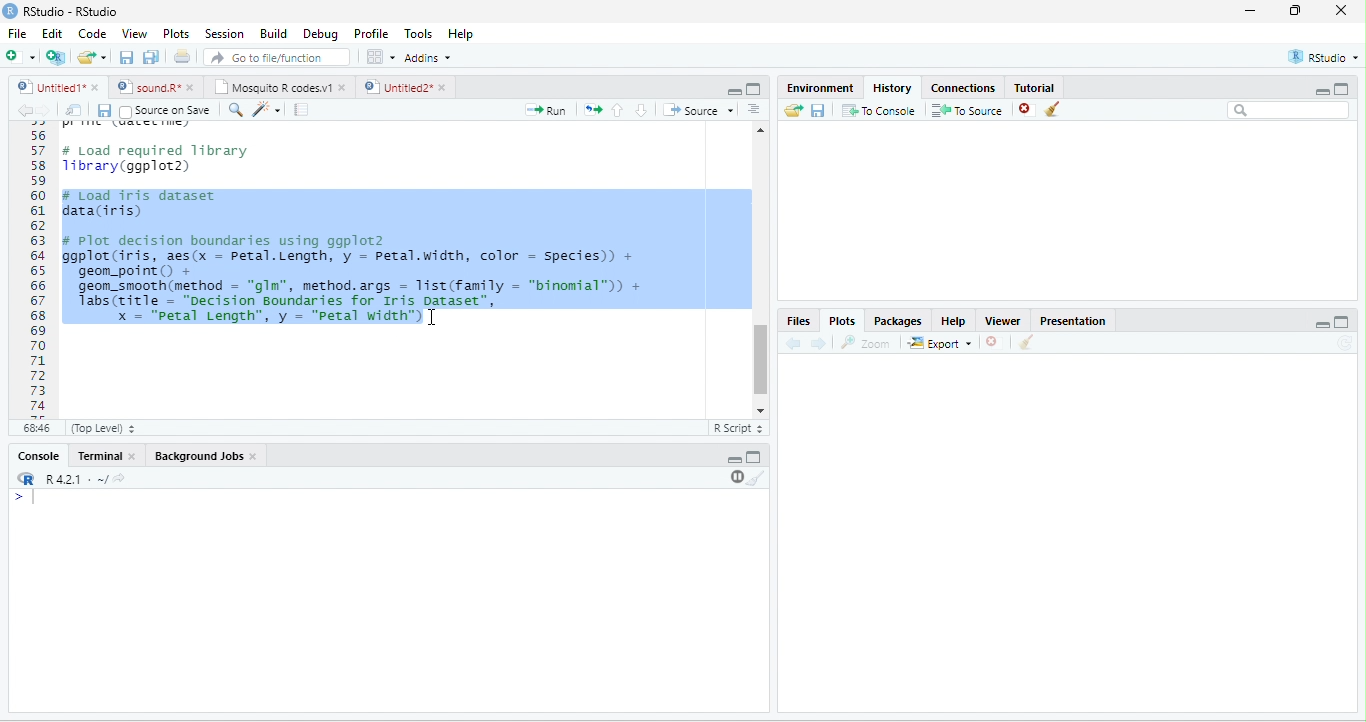 The image size is (1366, 722). Describe the element at coordinates (821, 87) in the screenshot. I see `Environment` at that location.